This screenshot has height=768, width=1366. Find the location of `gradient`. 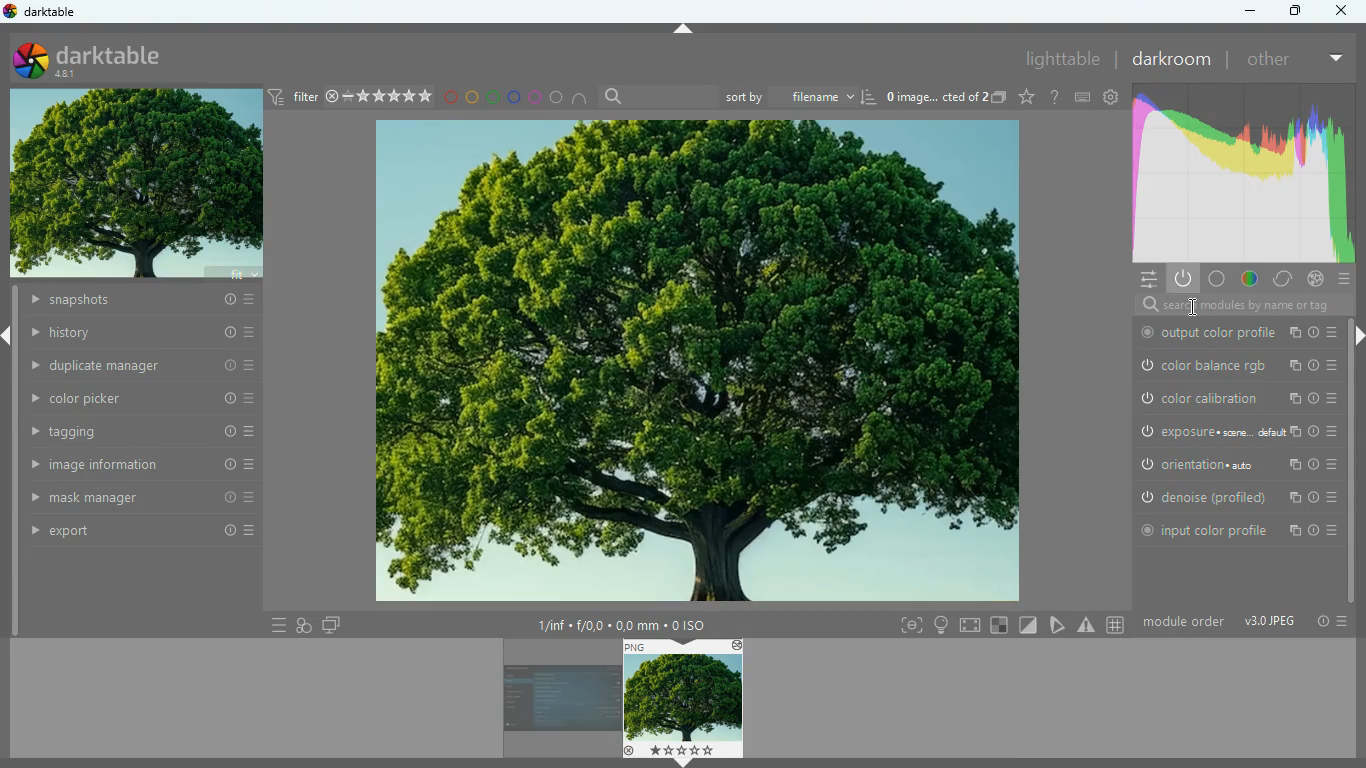

gradient is located at coordinates (1247, 174).